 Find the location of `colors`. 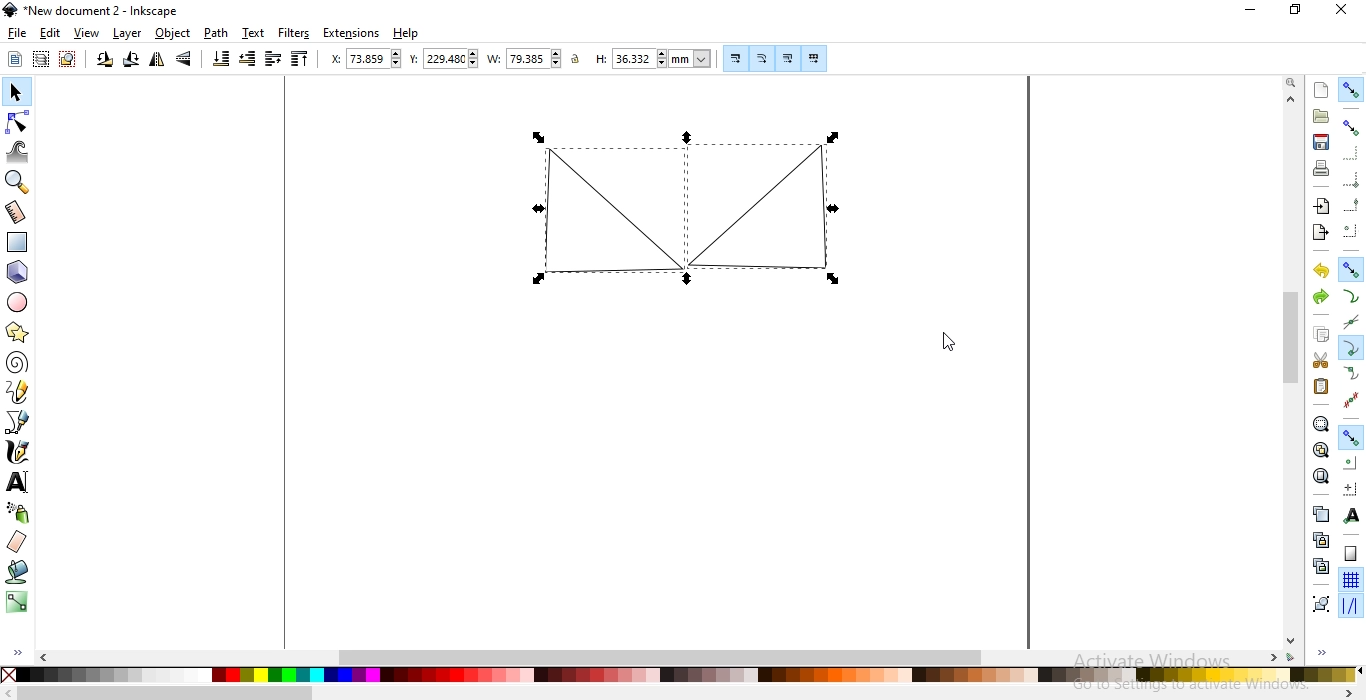

colors is located at coordinates (681, 676).